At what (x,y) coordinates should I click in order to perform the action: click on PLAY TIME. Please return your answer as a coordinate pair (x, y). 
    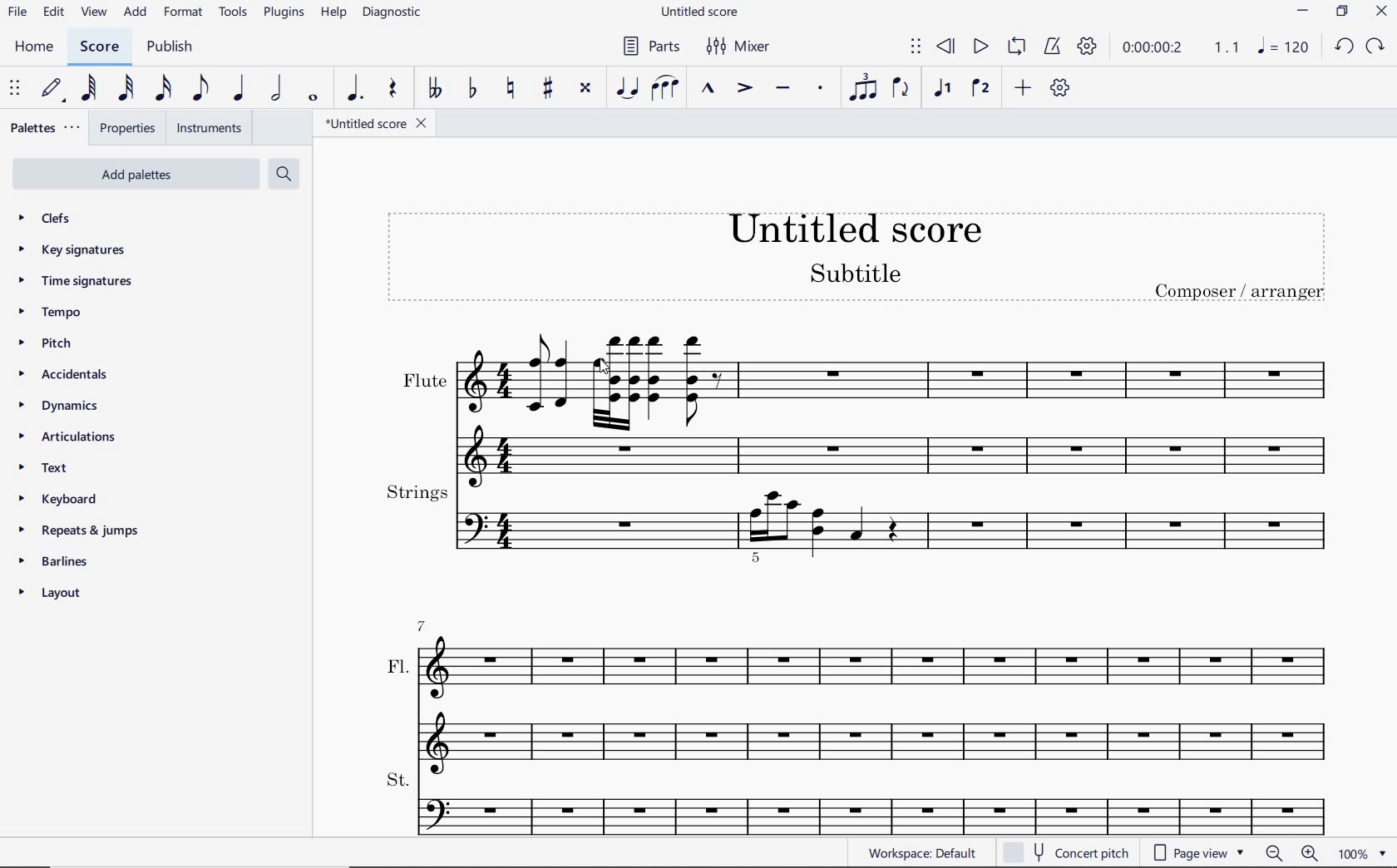
    Looking at the image, I should click on (1180, 47).